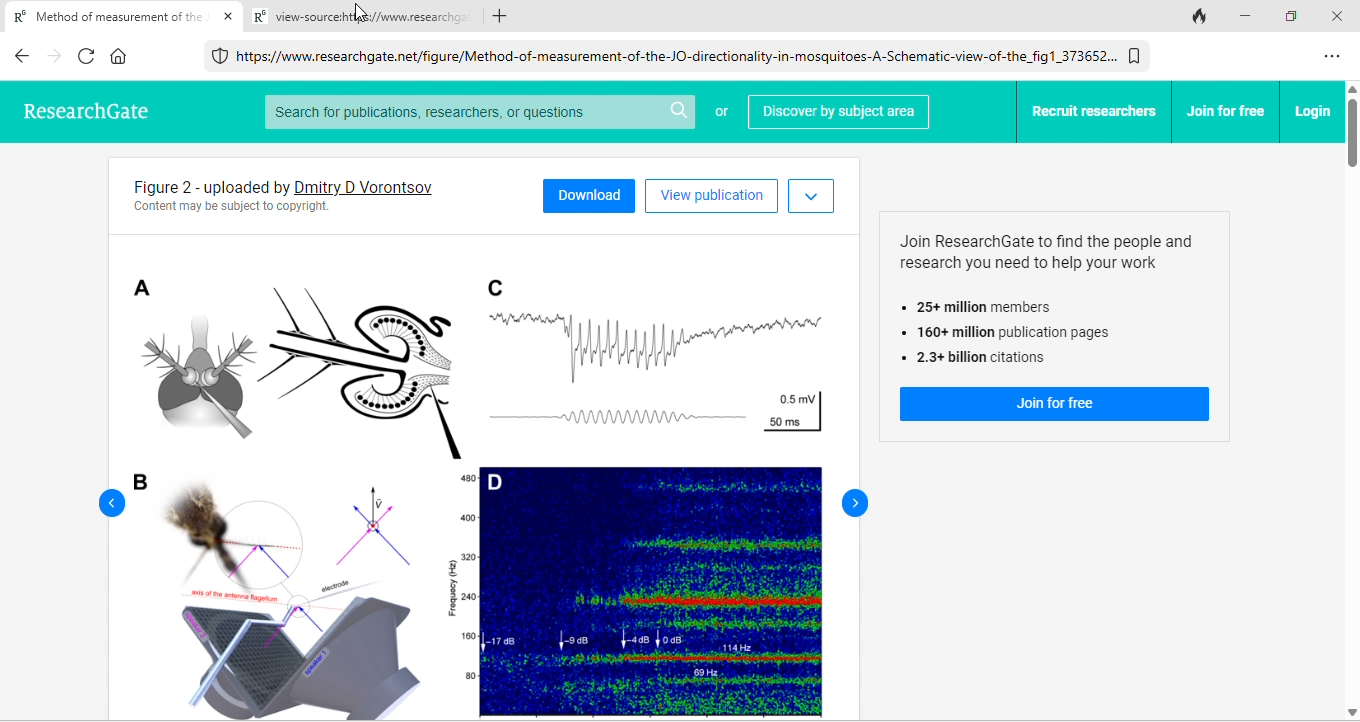 Image resolution: width=1360 pixels, height=722 pixels. I want to click on Content may be subject to copyright., so click(231, 210).